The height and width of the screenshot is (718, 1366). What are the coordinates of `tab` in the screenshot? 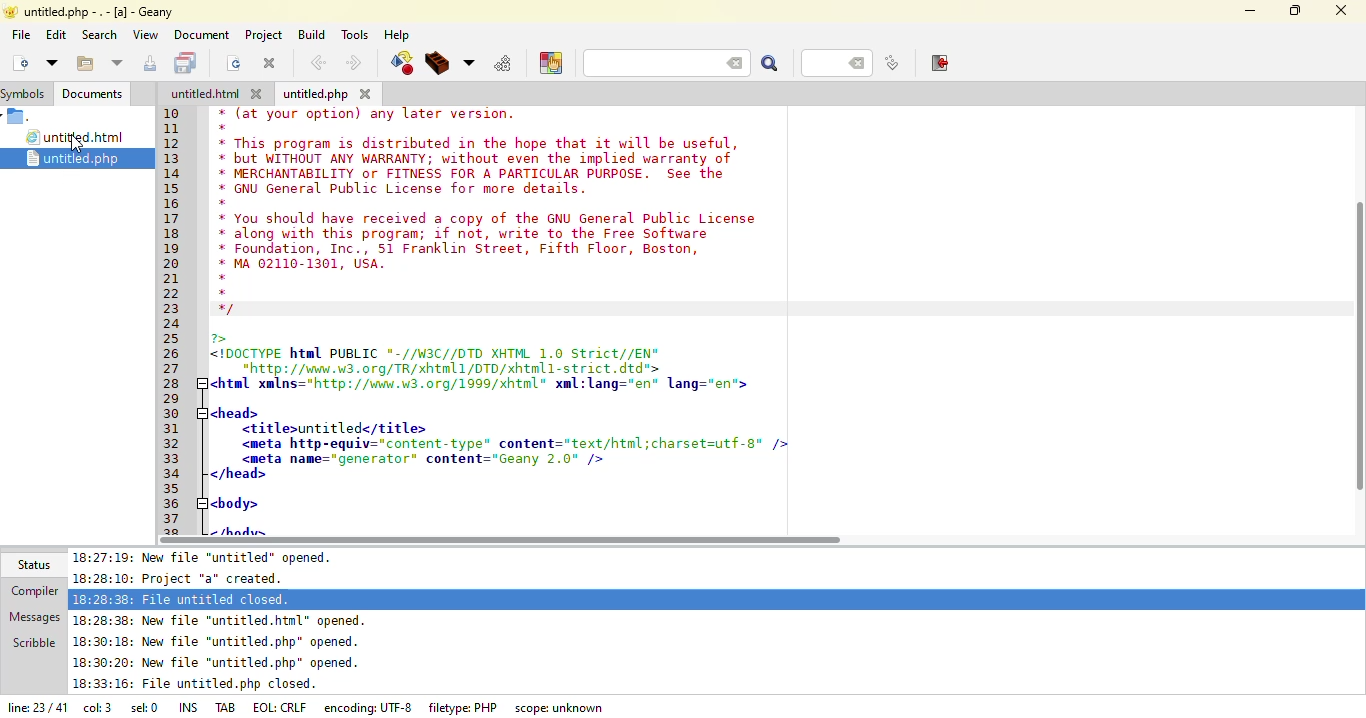 It's located at (220, 705).